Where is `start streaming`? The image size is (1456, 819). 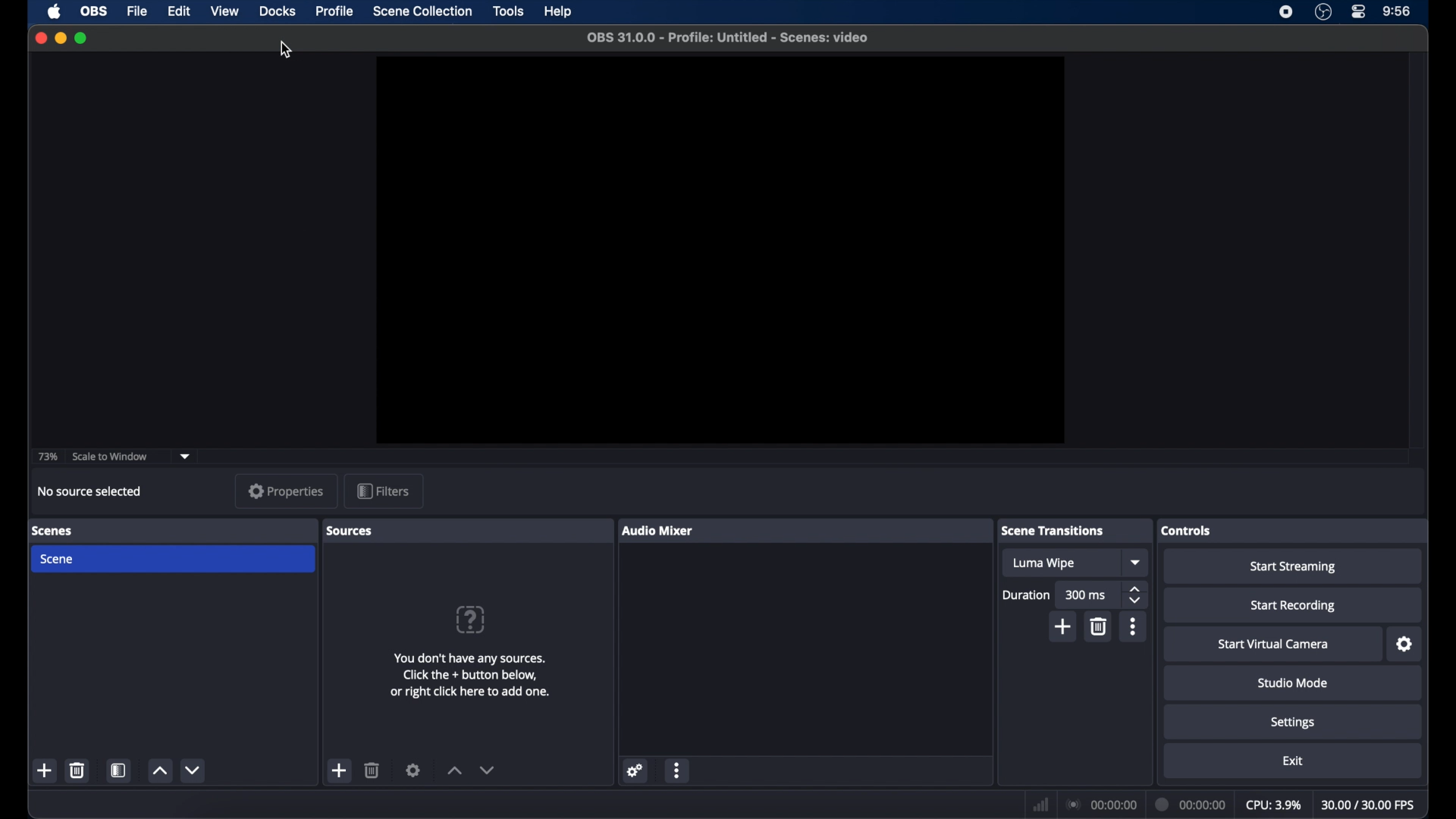
start streaming is located at coordinates (1292, 566).